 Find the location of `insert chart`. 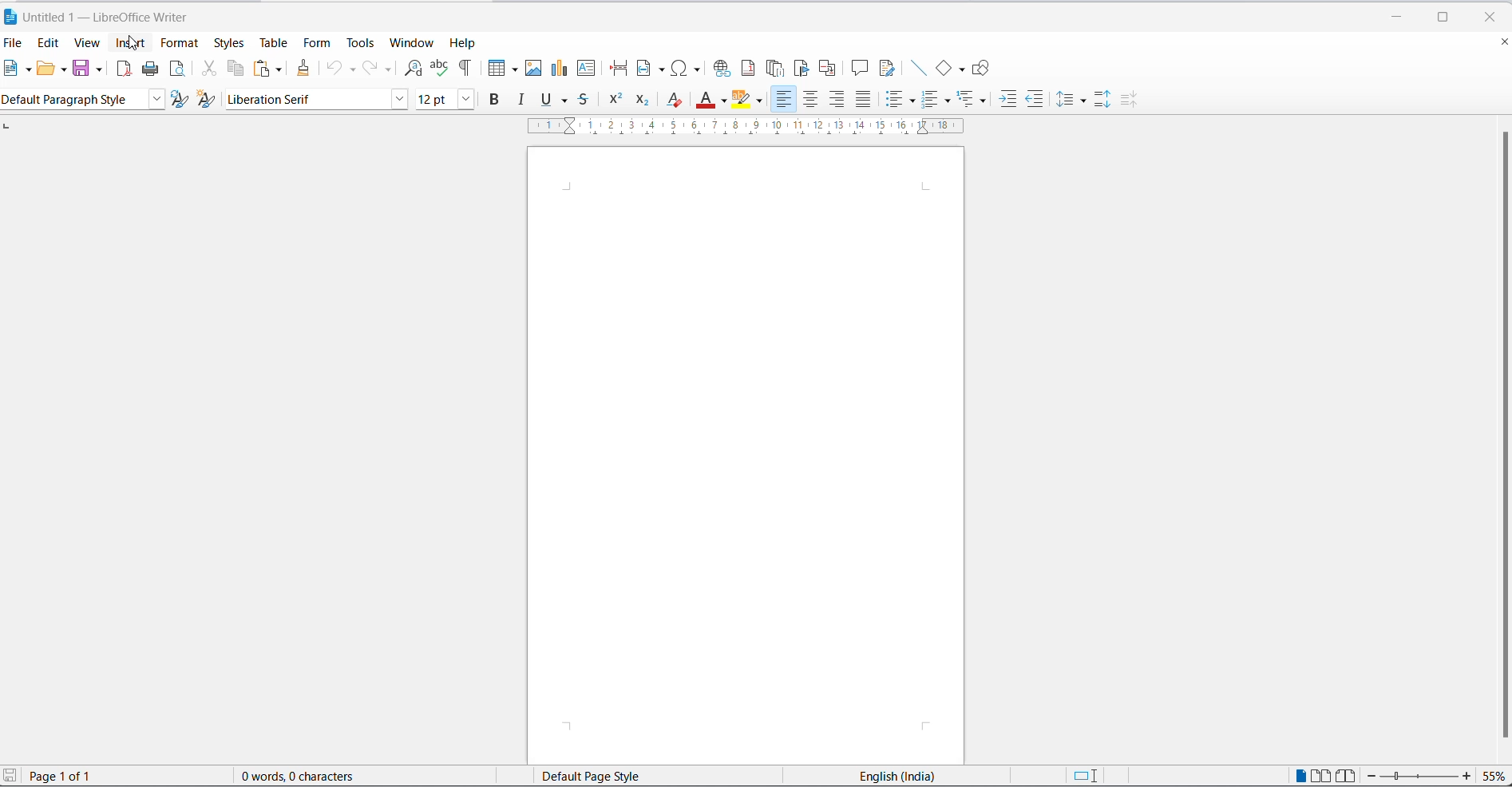

insert chart is located at coordinates (560, 69).